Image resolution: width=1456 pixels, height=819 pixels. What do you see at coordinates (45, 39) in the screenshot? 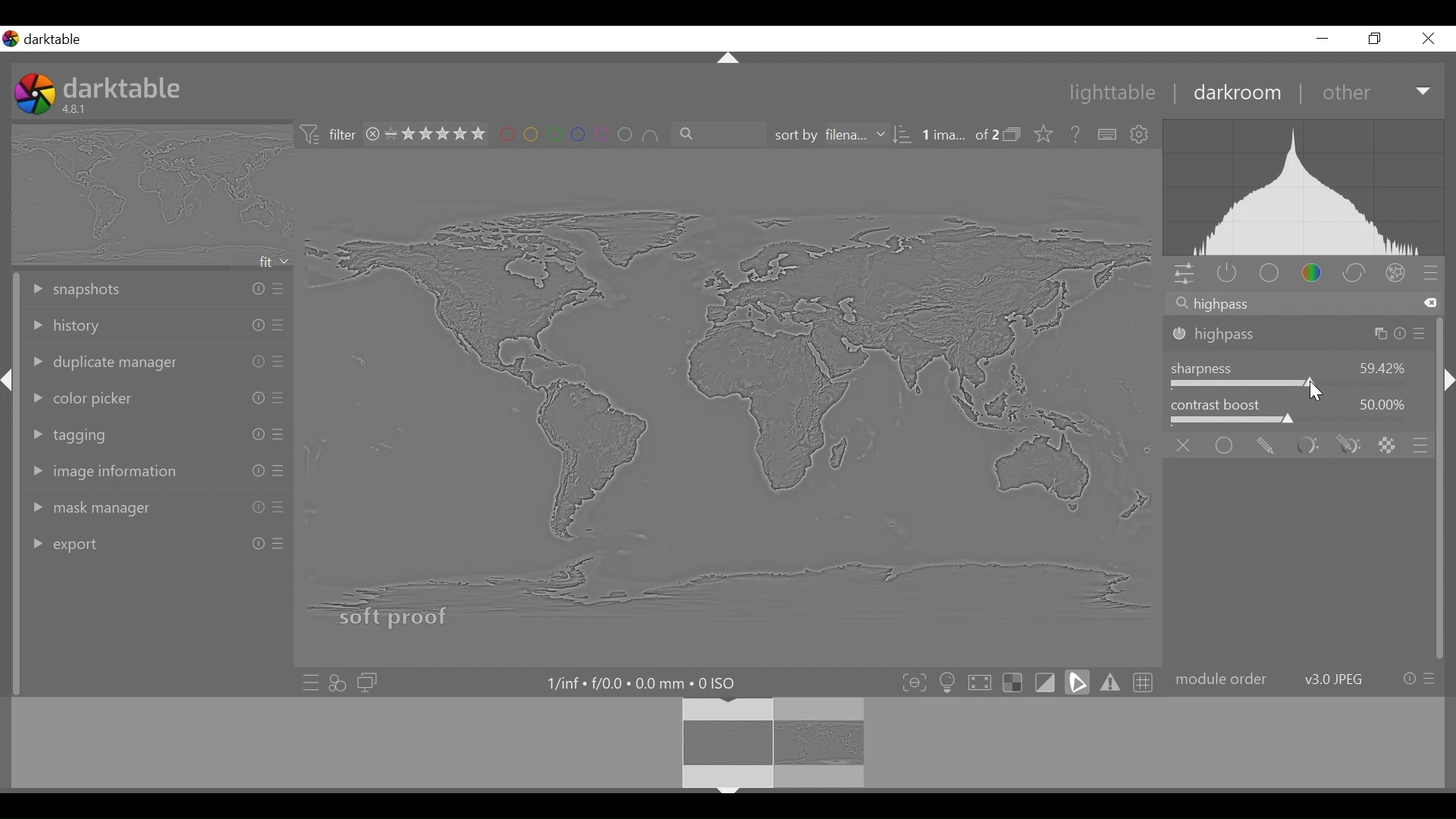
I see `Darktable desktop icon` at bounding box center [45, 39].